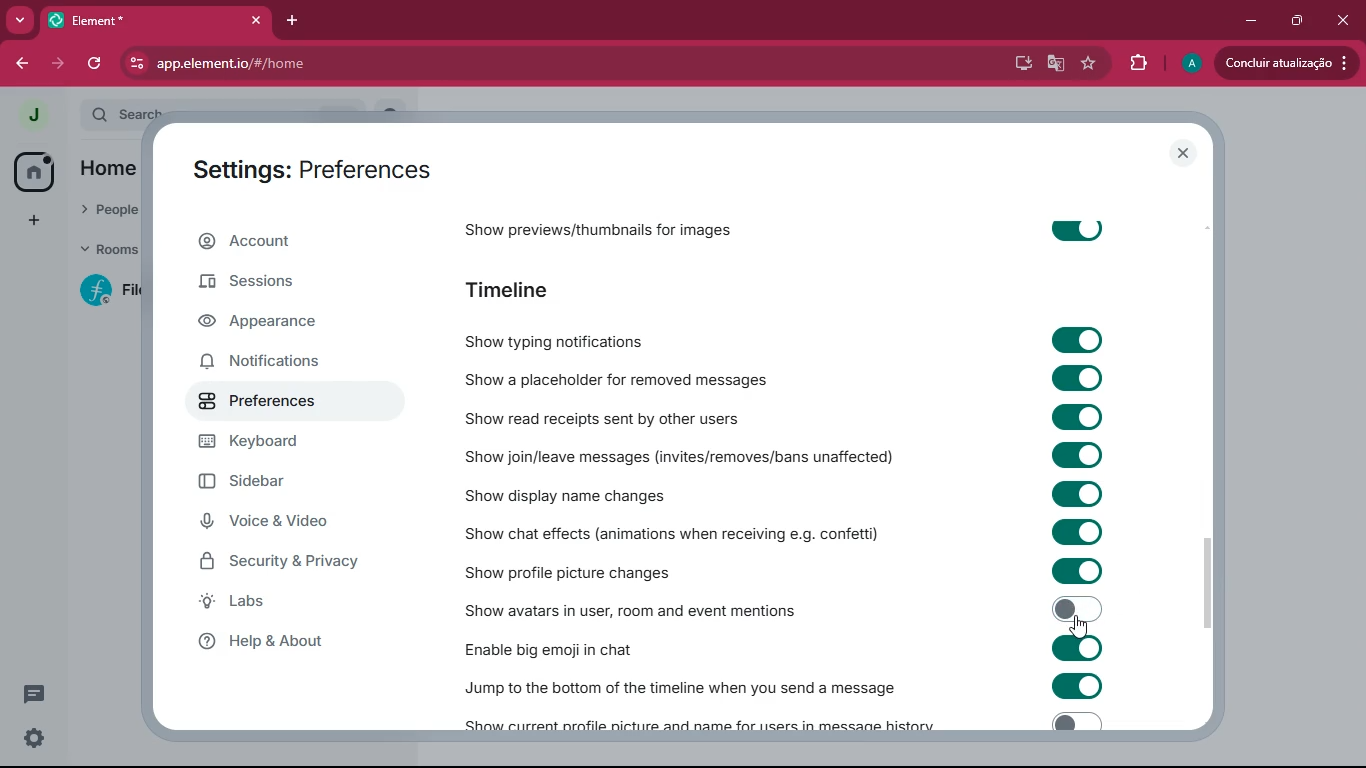 This screenshot has height=768, width=1366. What do you see at coordinates (1077, 646) in the screenshot?
I see `toggle on ` at bounding box center [1077, 646].